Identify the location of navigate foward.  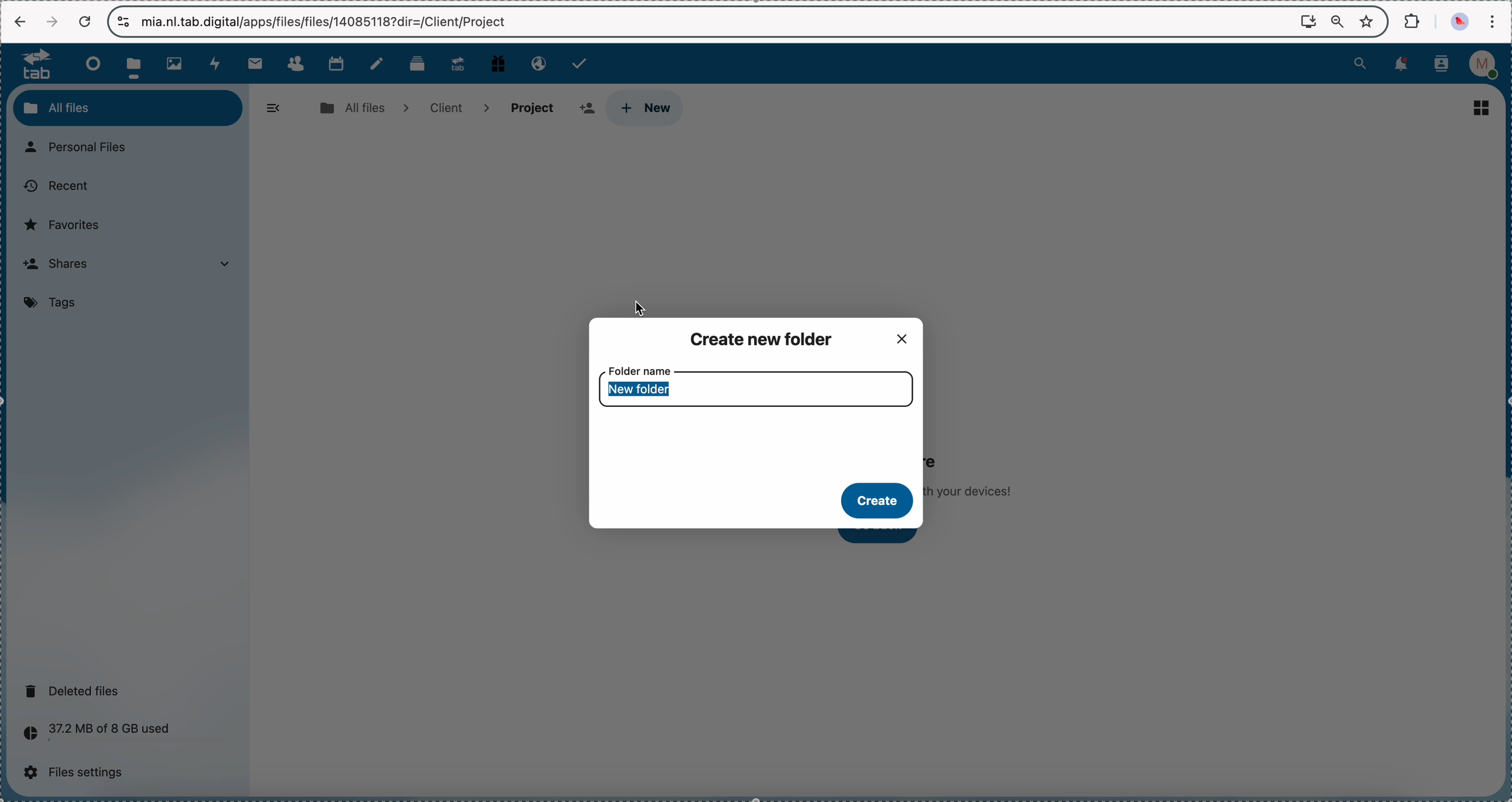
(52, 22).